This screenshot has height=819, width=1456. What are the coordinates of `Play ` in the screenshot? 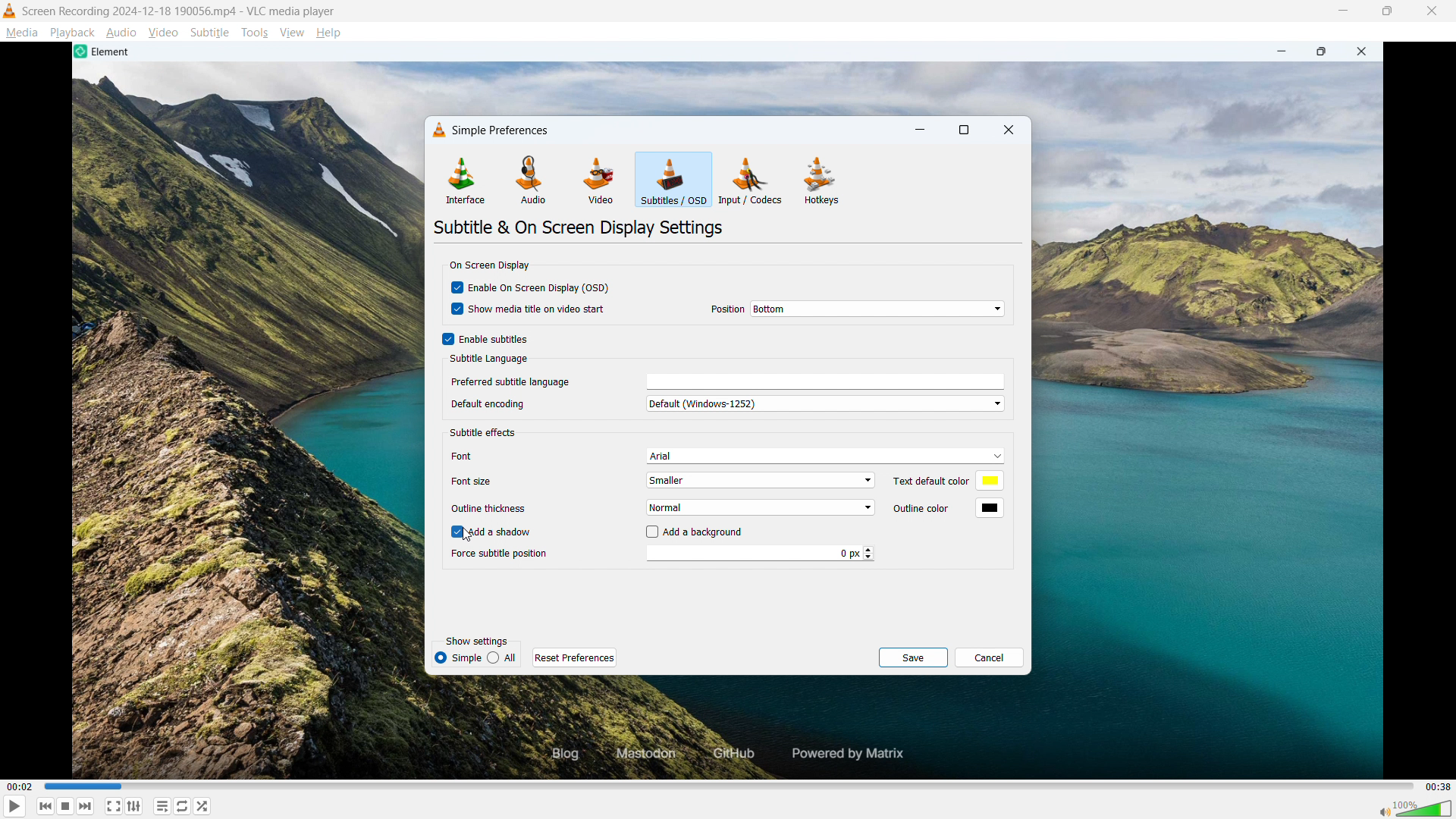 It's located at (14, 806).